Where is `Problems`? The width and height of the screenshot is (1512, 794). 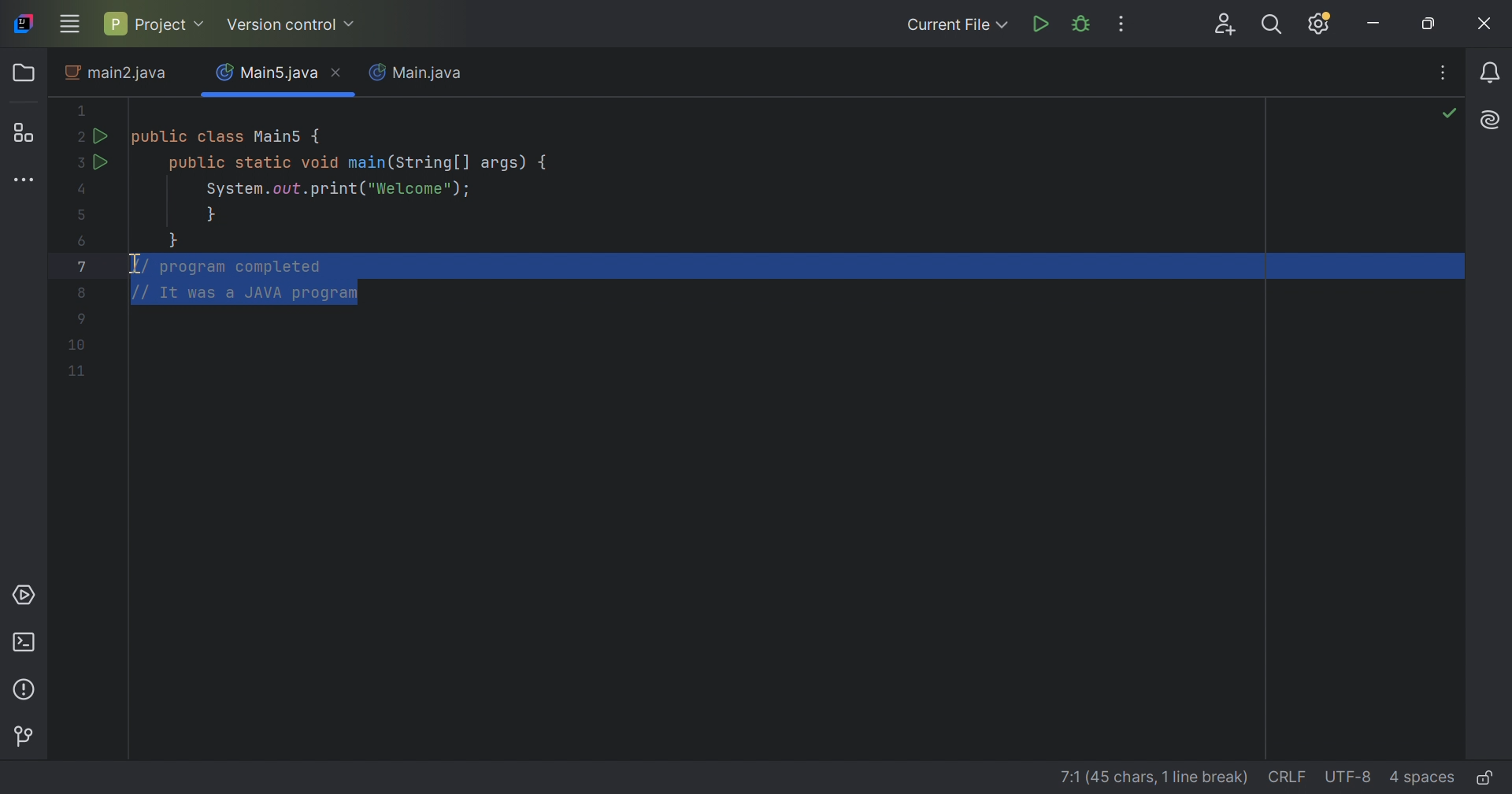
Problems is located at coordinates (26, 688).